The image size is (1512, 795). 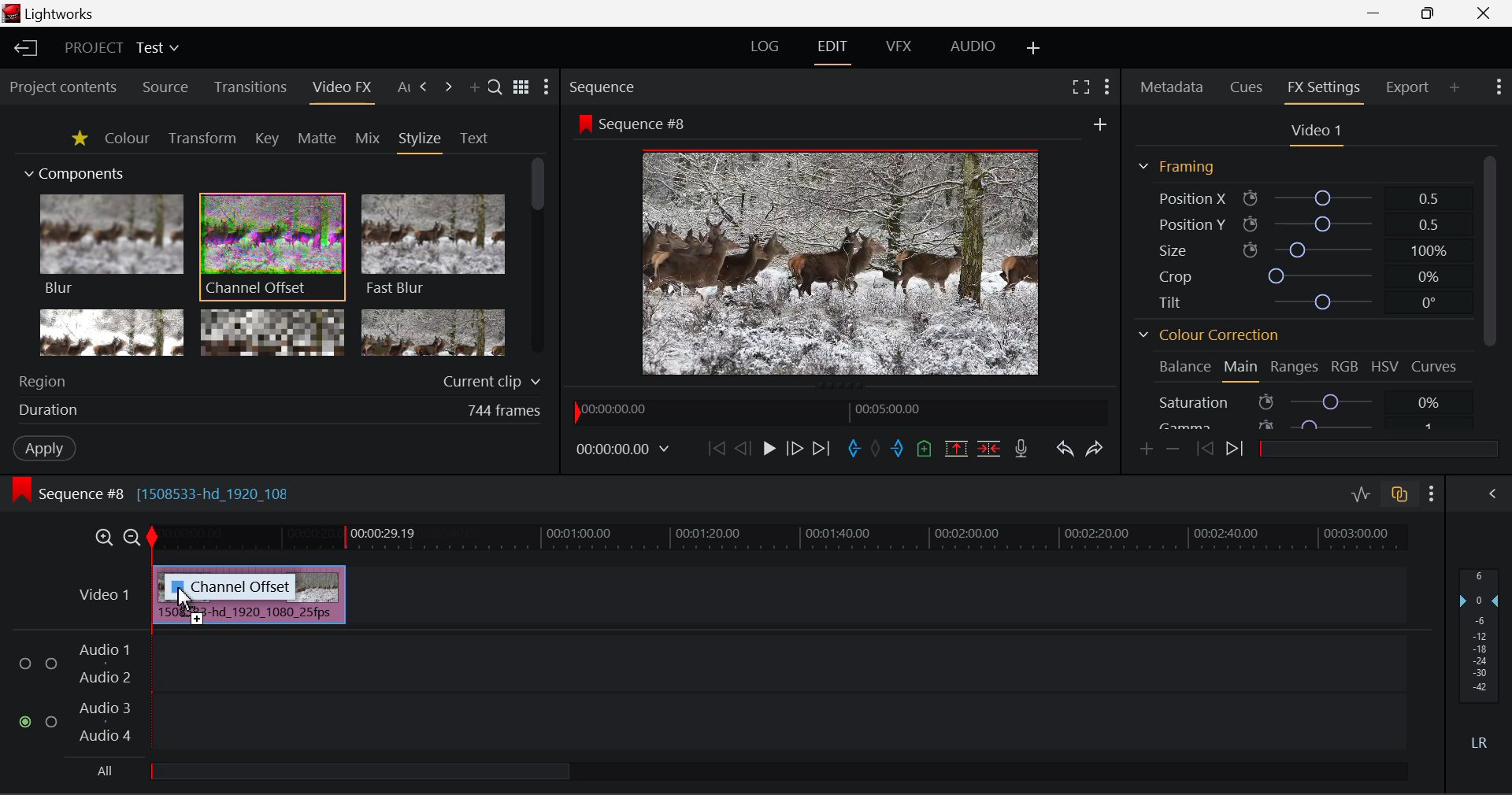 What do you see at coordinates (896, 449) in the screenshot?
I see `Mark Out` at bounding box center [896, 449].